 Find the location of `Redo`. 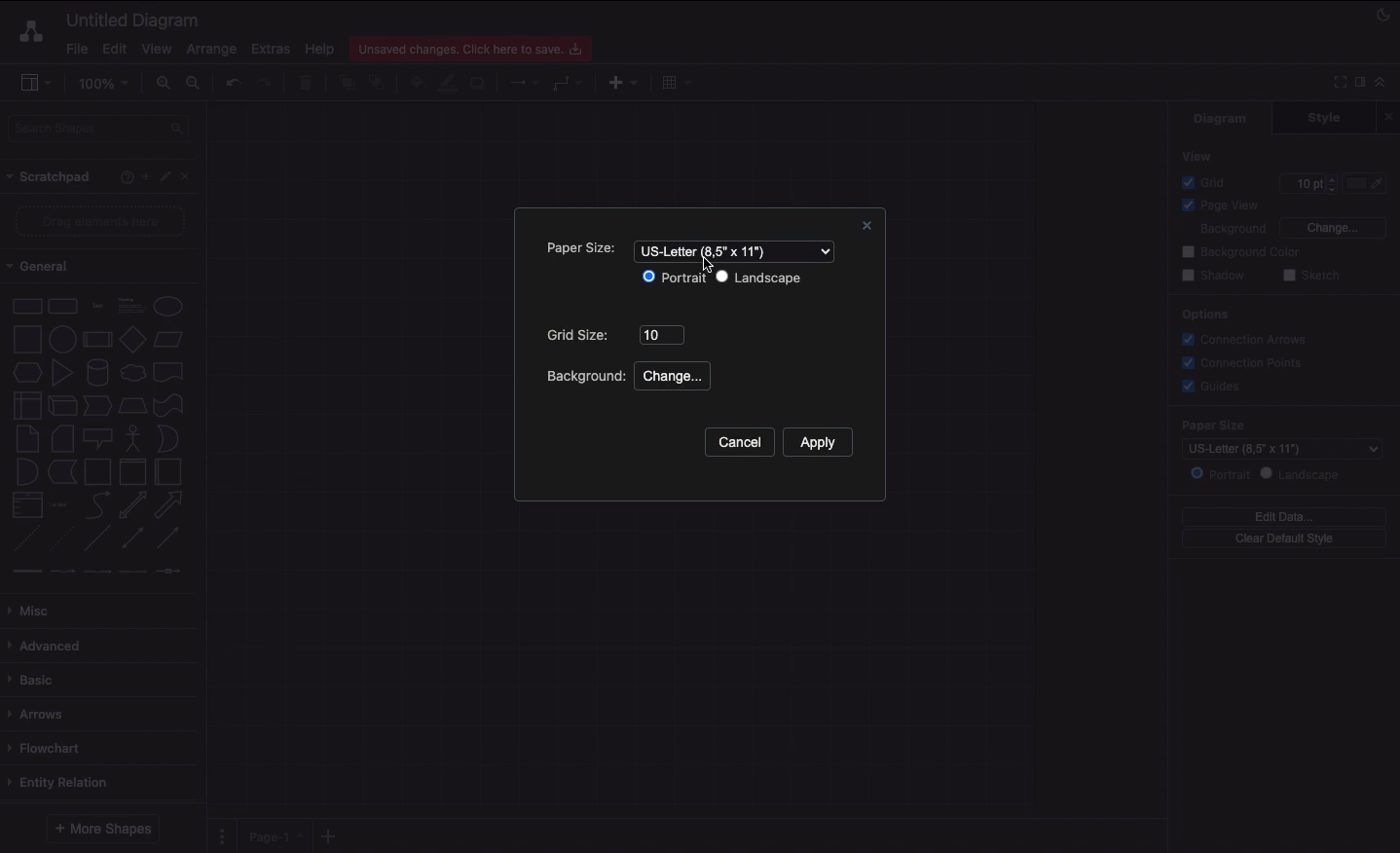

Redo is located at coordinates (264, 84).